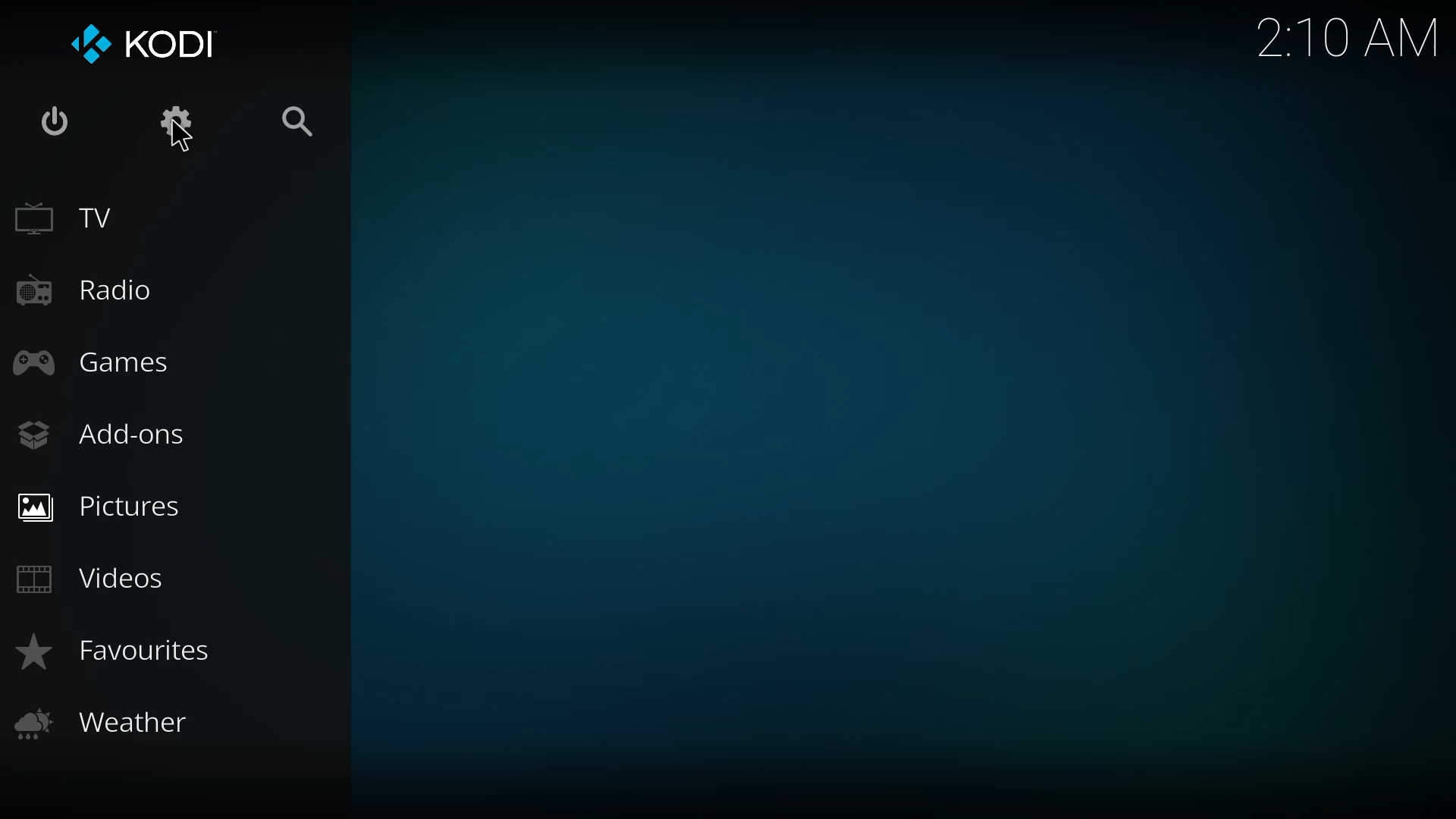 The width and height of the screenshot is (1456, 819). Describe the element at coordinates (182, 140) in the screenshot. I see `cursor` at that location.